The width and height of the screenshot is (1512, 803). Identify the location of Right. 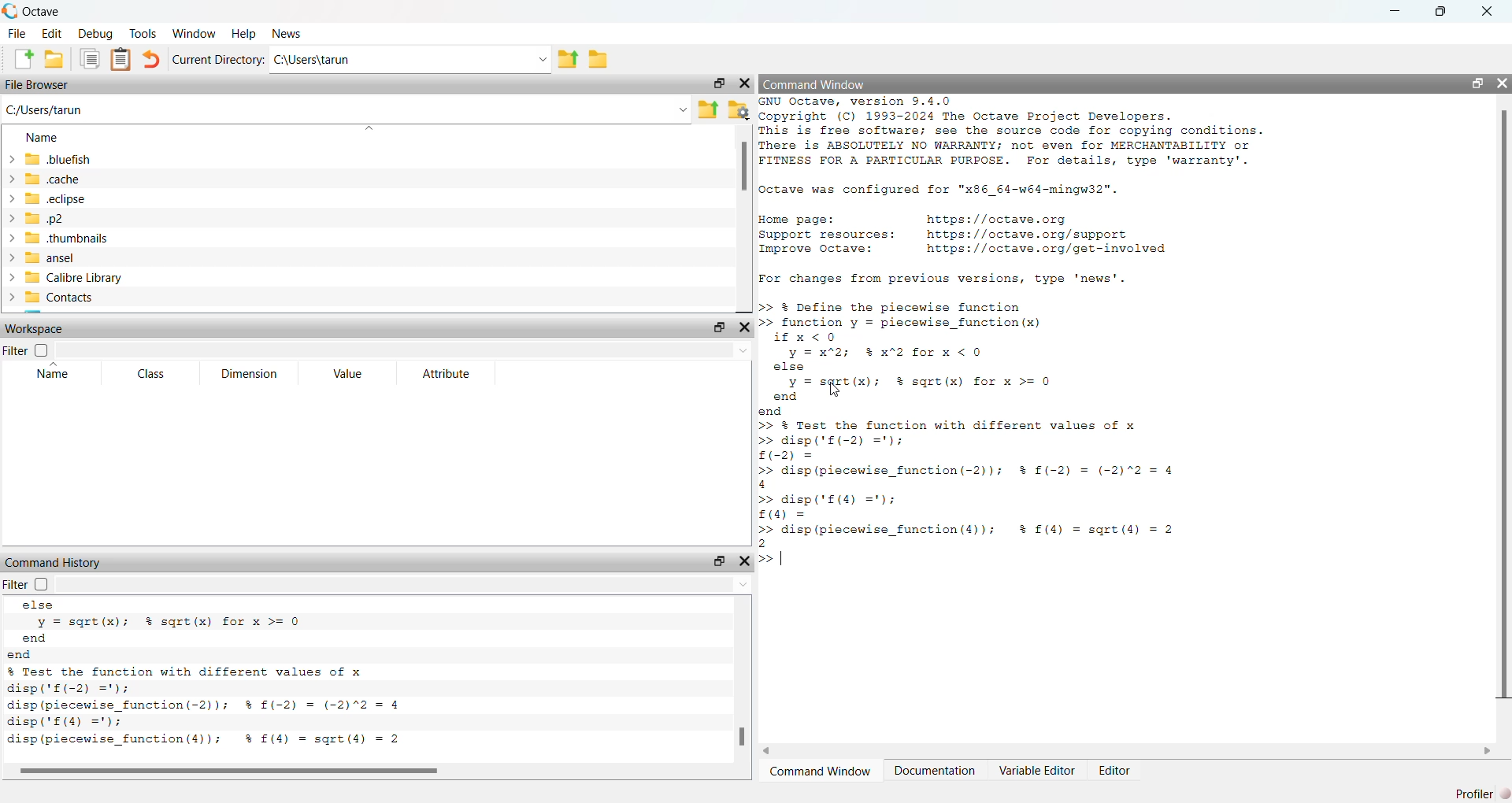
(1488, 749).